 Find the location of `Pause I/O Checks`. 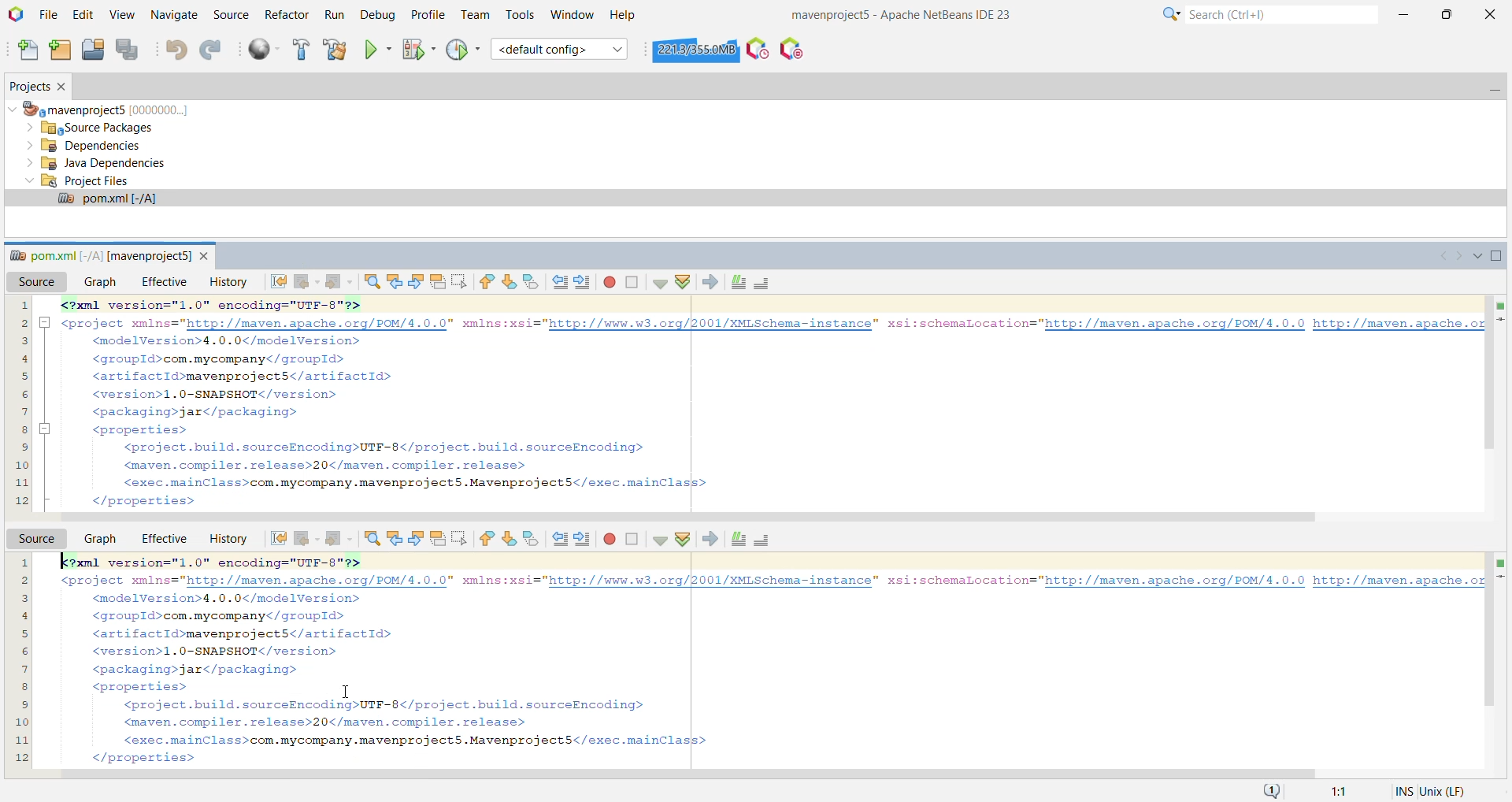

Pause I/O Checks is located at coordinates (790, 49).